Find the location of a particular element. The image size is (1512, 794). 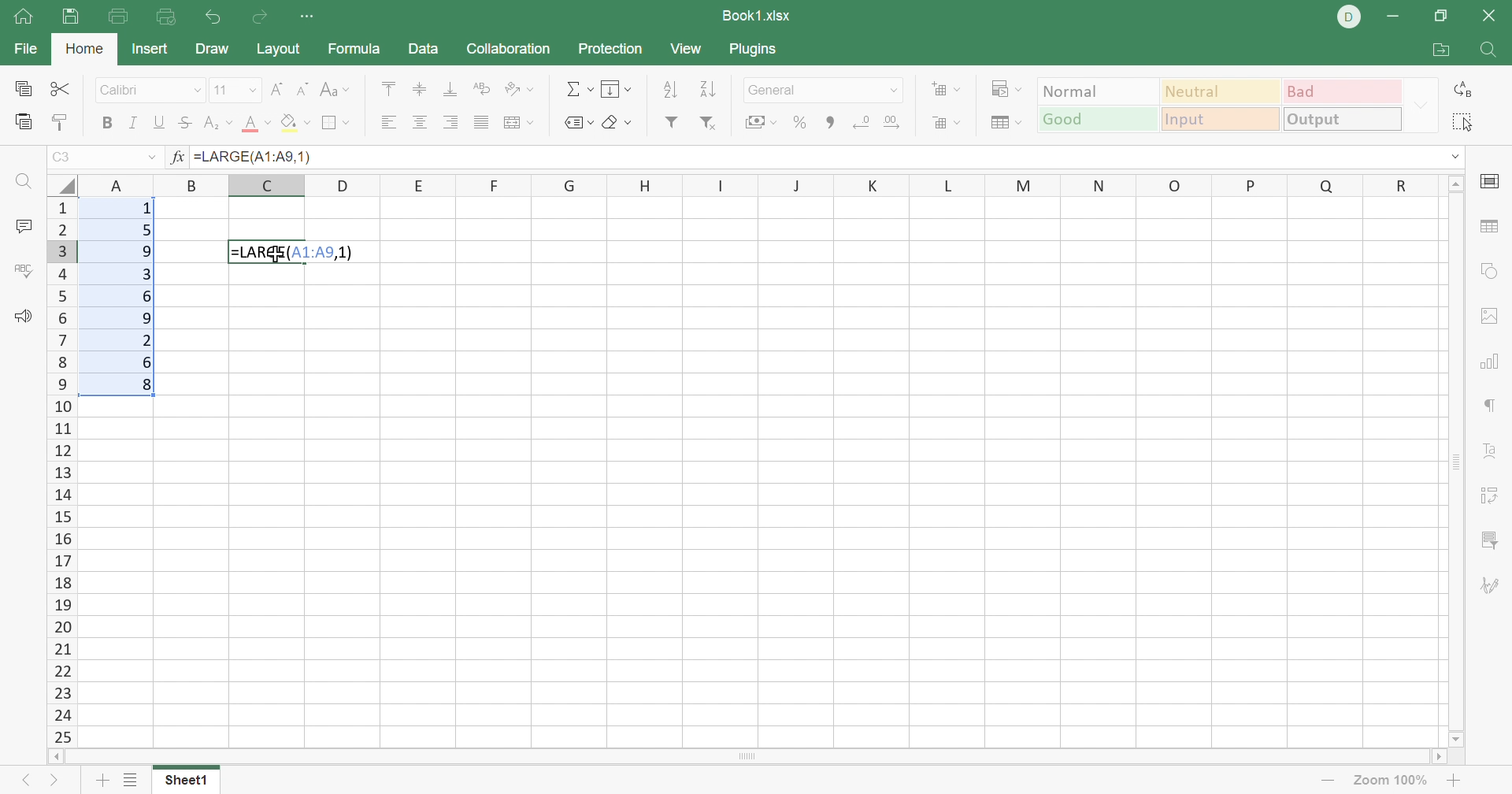

Check spelling is located at coordinates (26, 273).